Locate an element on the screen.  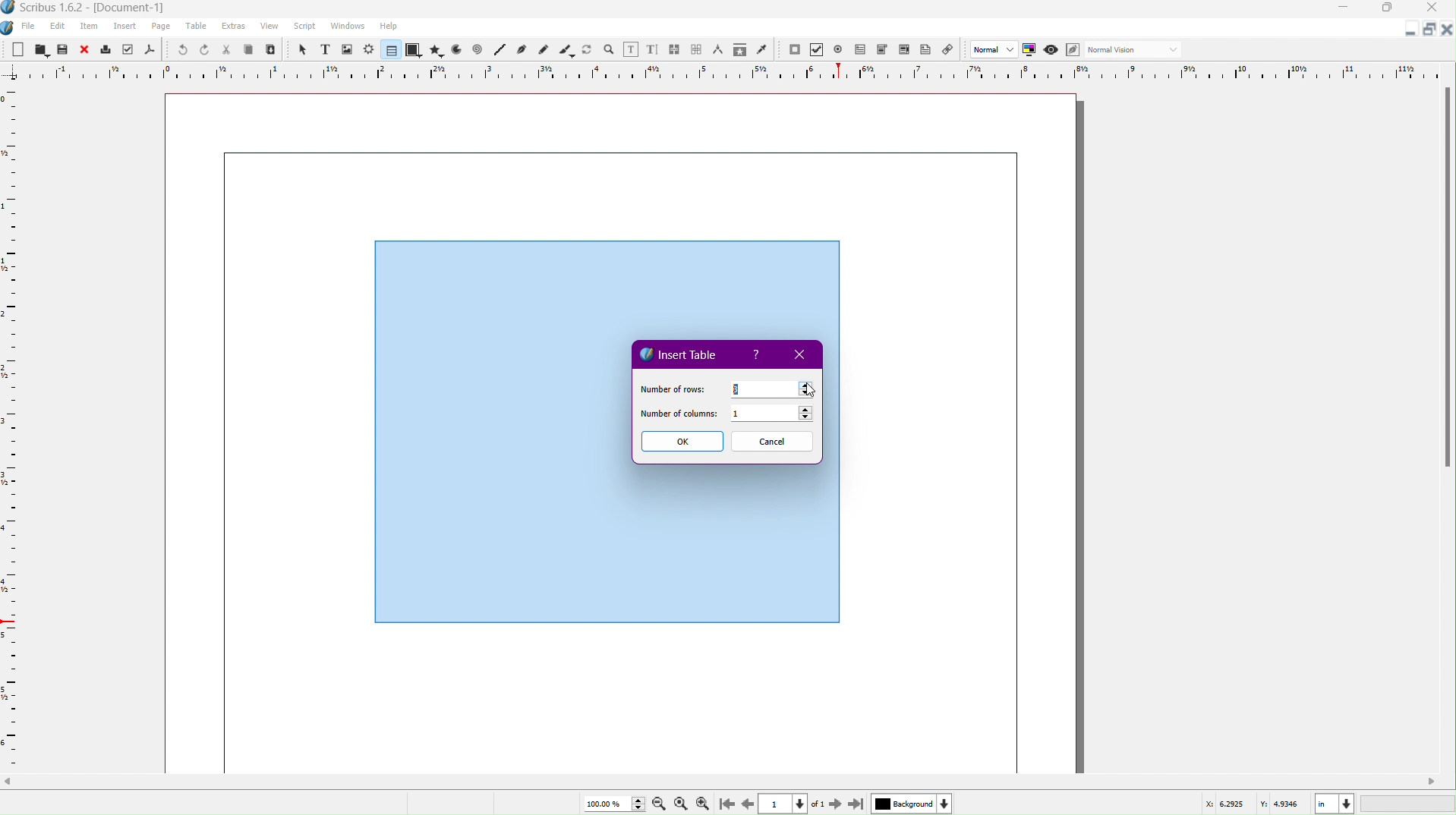
Script is located at coordinates (304, 27).